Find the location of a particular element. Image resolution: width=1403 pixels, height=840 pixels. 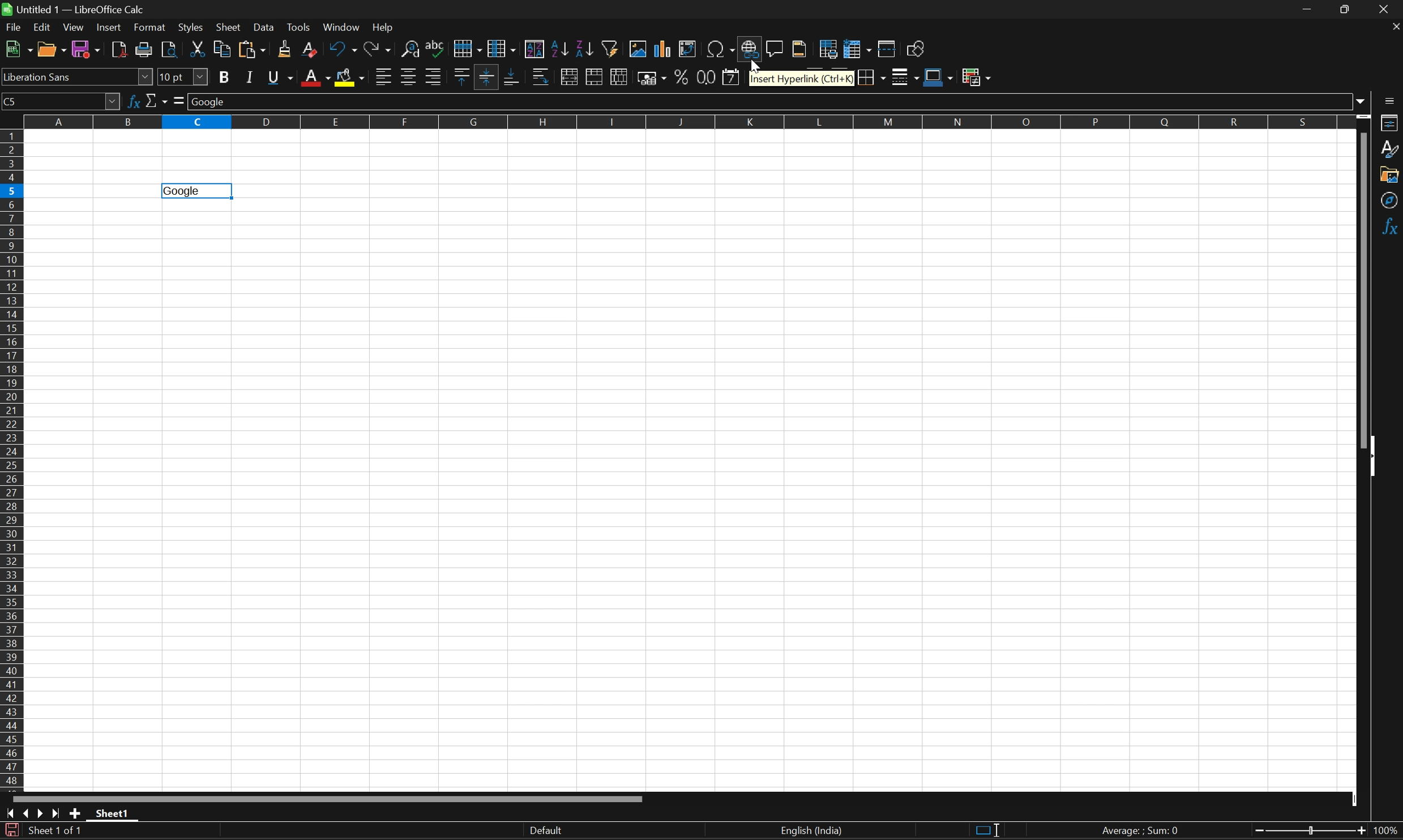

Default is located at coordinates (544, 830).